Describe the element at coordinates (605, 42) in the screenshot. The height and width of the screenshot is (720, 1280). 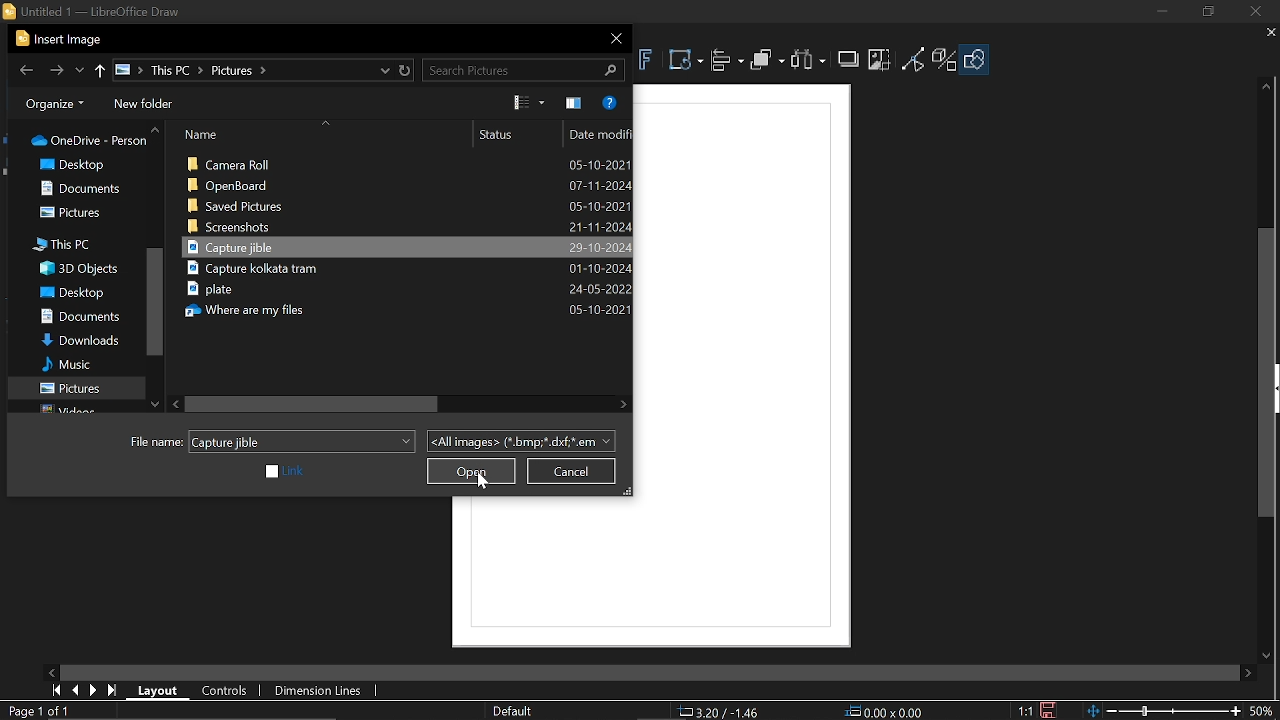
I see `Close window` at that location.